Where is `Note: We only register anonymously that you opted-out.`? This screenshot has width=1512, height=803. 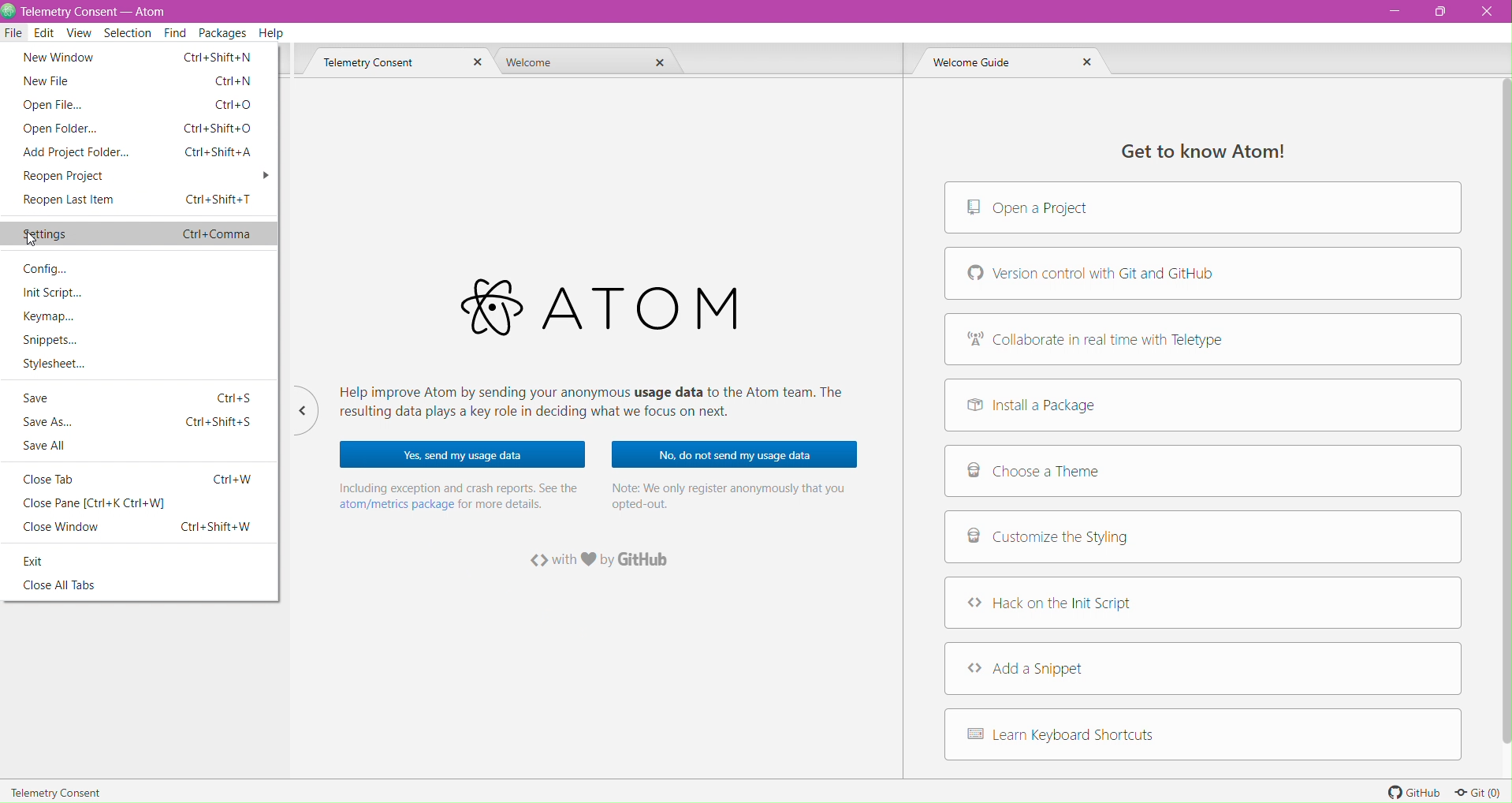 Note: We only register anonymously that you opted-out. is located at coordinates (730, 498).